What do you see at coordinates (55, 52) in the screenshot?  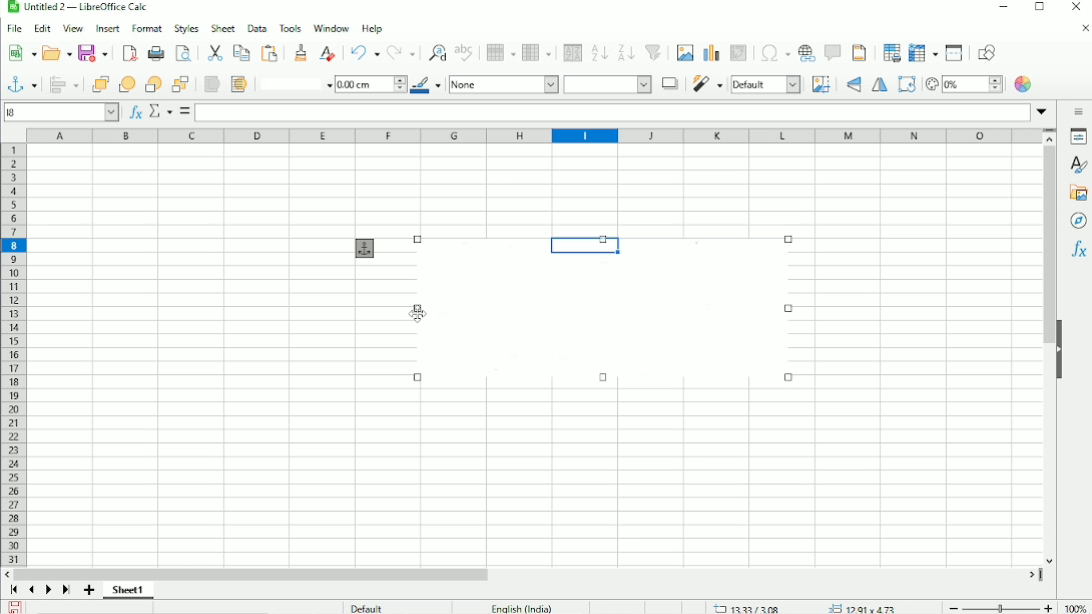 I see `Open` at bounding box center [55, 52].